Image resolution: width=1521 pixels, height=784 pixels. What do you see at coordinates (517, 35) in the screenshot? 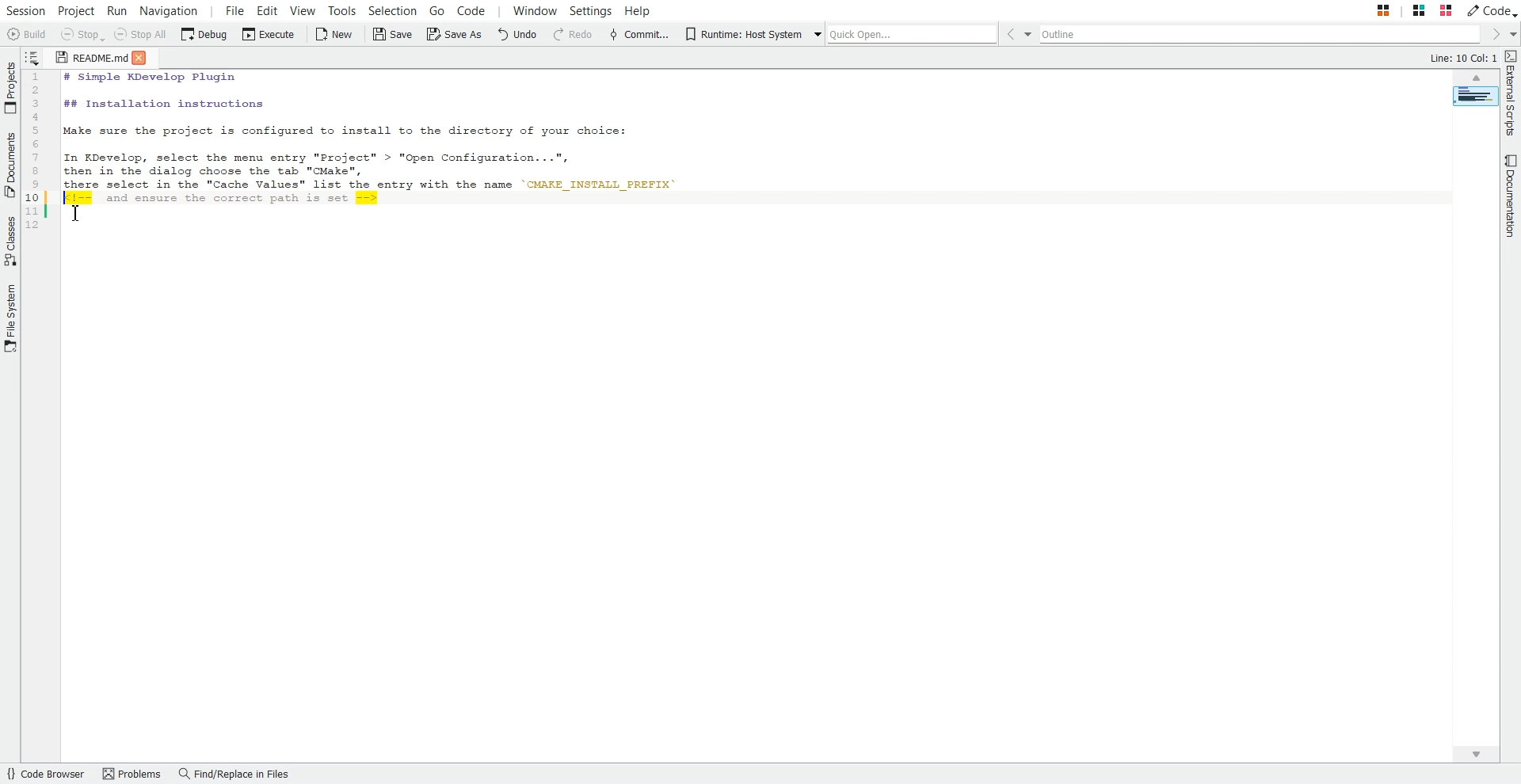
I see `Undo` at bounding box center [517, 35].